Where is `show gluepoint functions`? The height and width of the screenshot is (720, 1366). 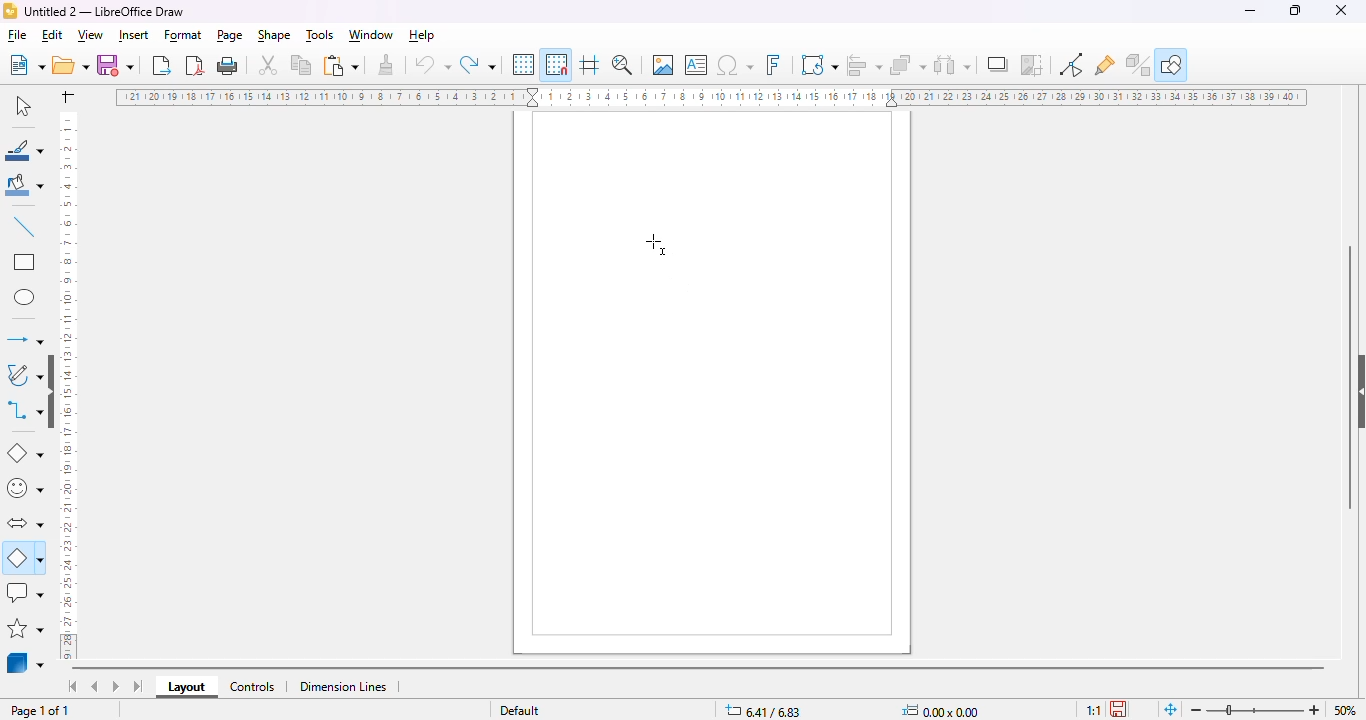
show gluepoint functions is located at coordinates (1105, 66).